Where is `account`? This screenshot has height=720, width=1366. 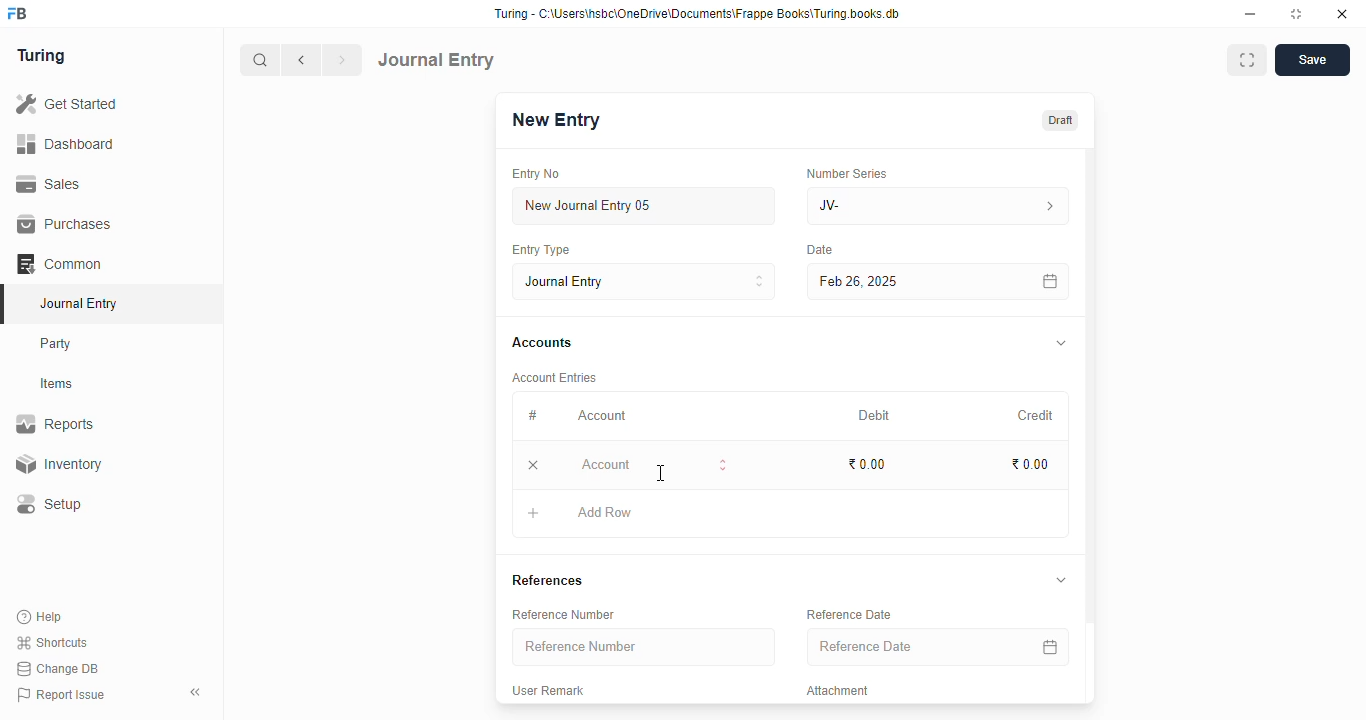
account is located at coordinates (654, 465).